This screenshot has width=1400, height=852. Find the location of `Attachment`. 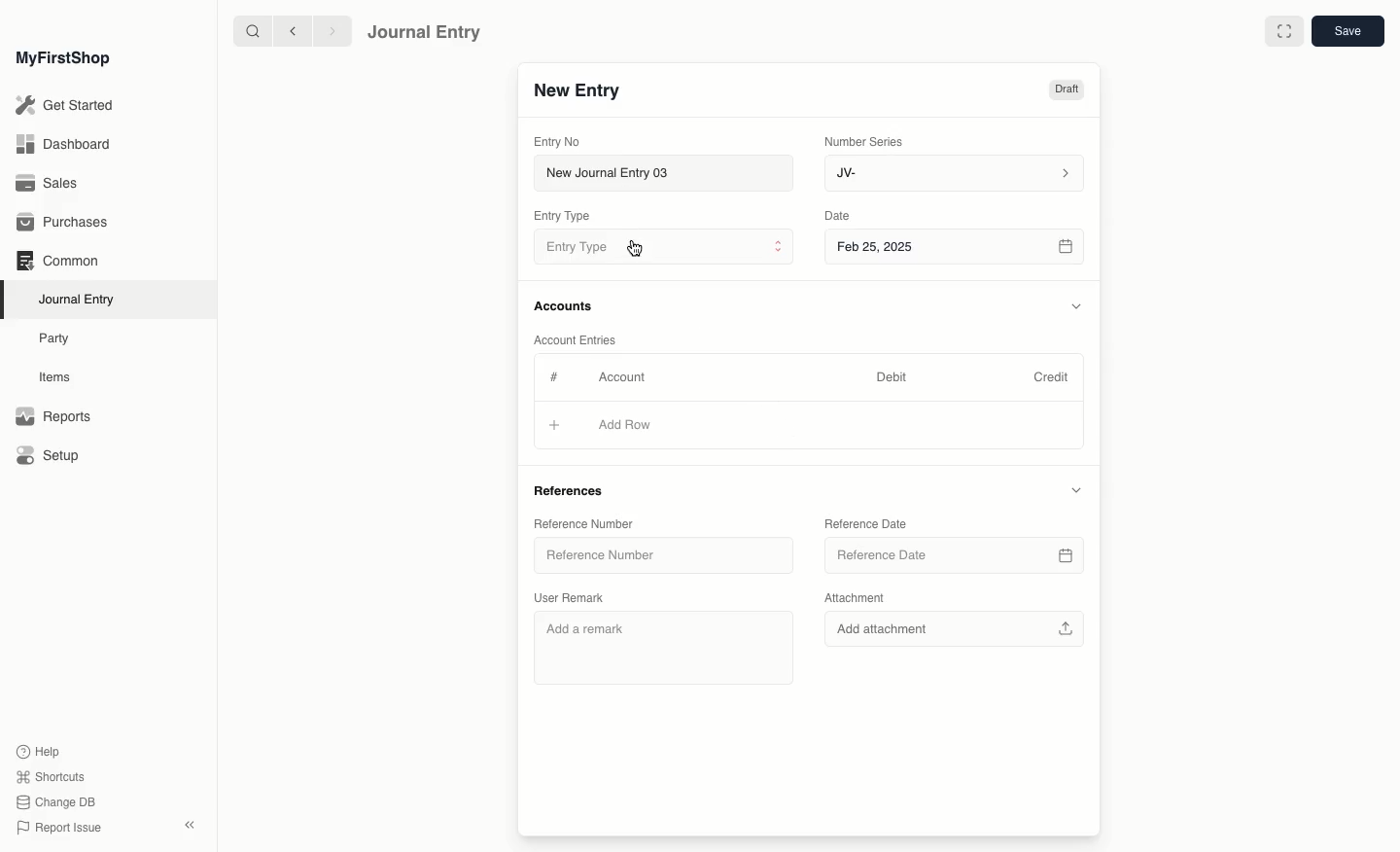

Attachment is located at coordinates (855, 598).